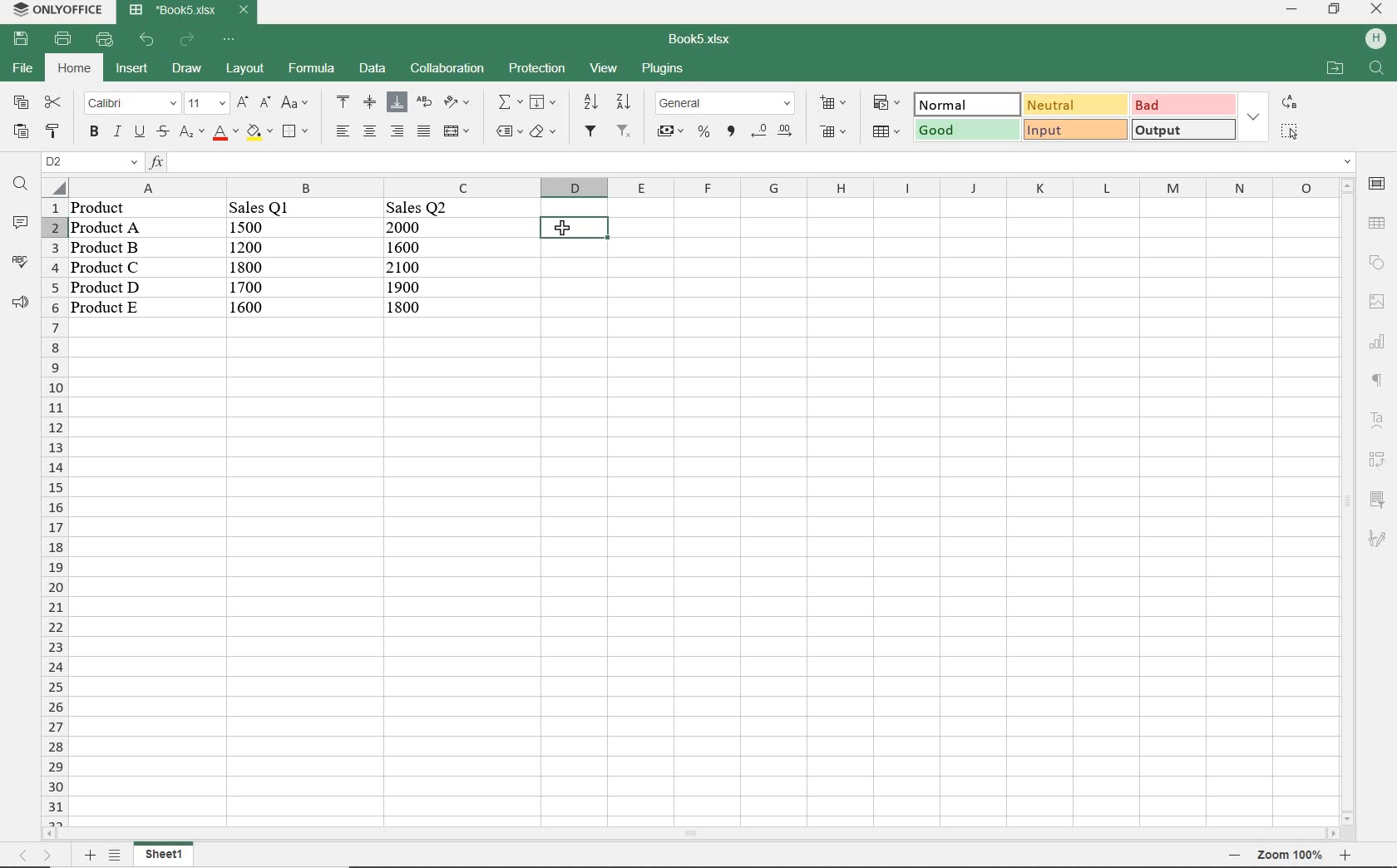  I want to click on draw, so click(186, 68).